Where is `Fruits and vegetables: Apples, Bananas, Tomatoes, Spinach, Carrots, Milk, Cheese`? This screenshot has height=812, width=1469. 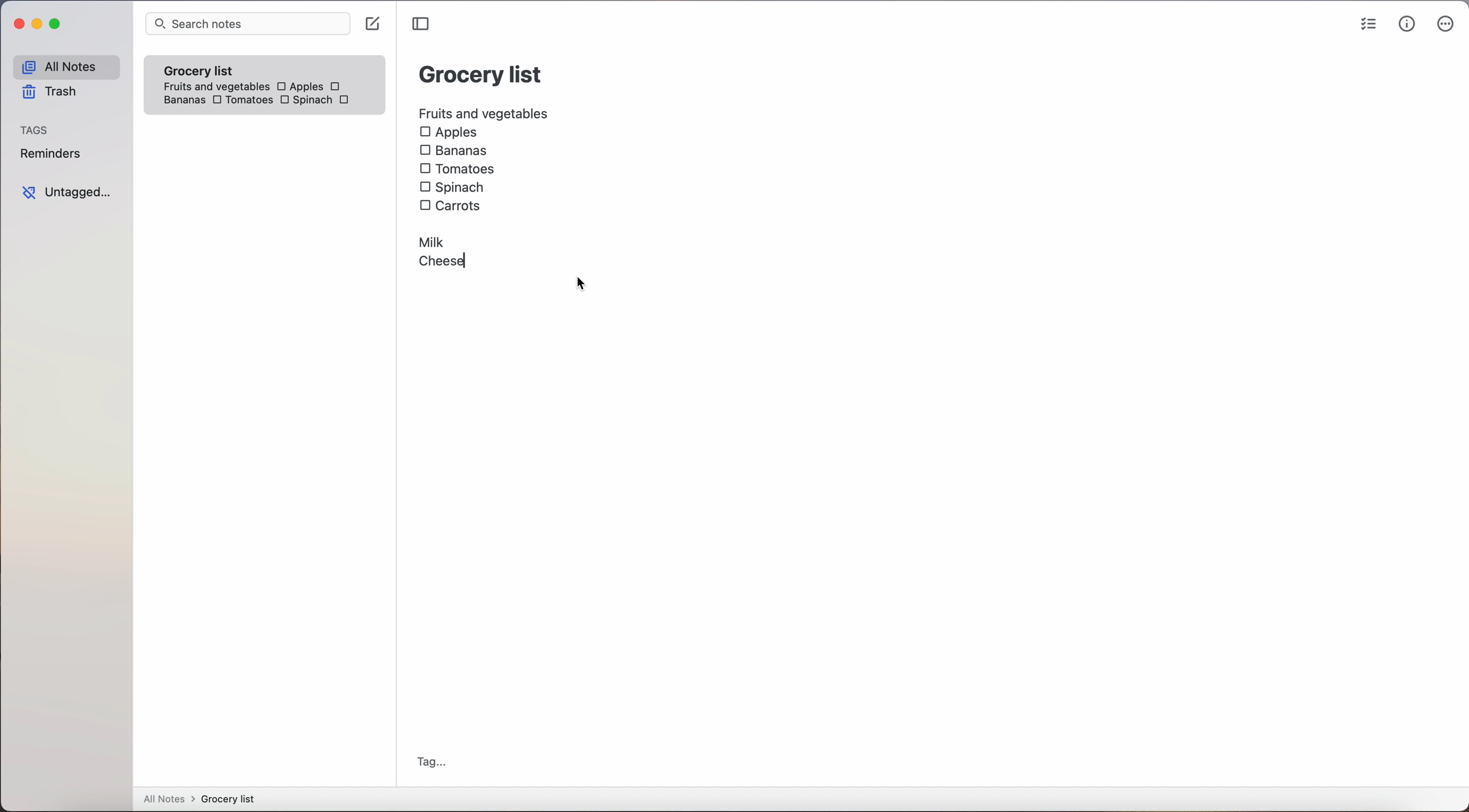 Fruits and vegetables: Apples, Bananas, Tomatoes, Spinach, Carrots, Milk, Cheese is located at coordinates (483, 187).